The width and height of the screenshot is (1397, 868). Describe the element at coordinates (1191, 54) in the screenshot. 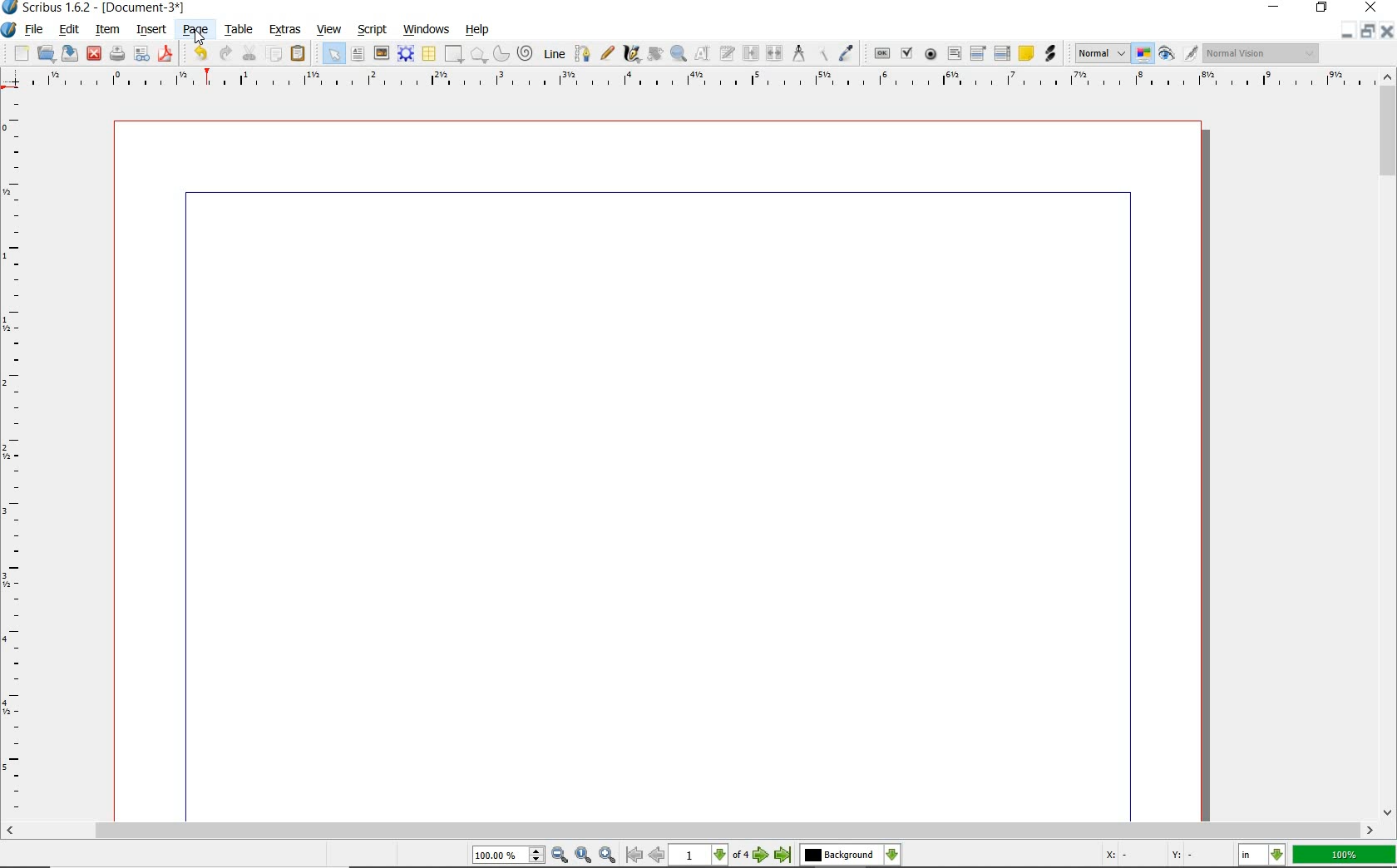

I see `Edit in preview mode` at that location.